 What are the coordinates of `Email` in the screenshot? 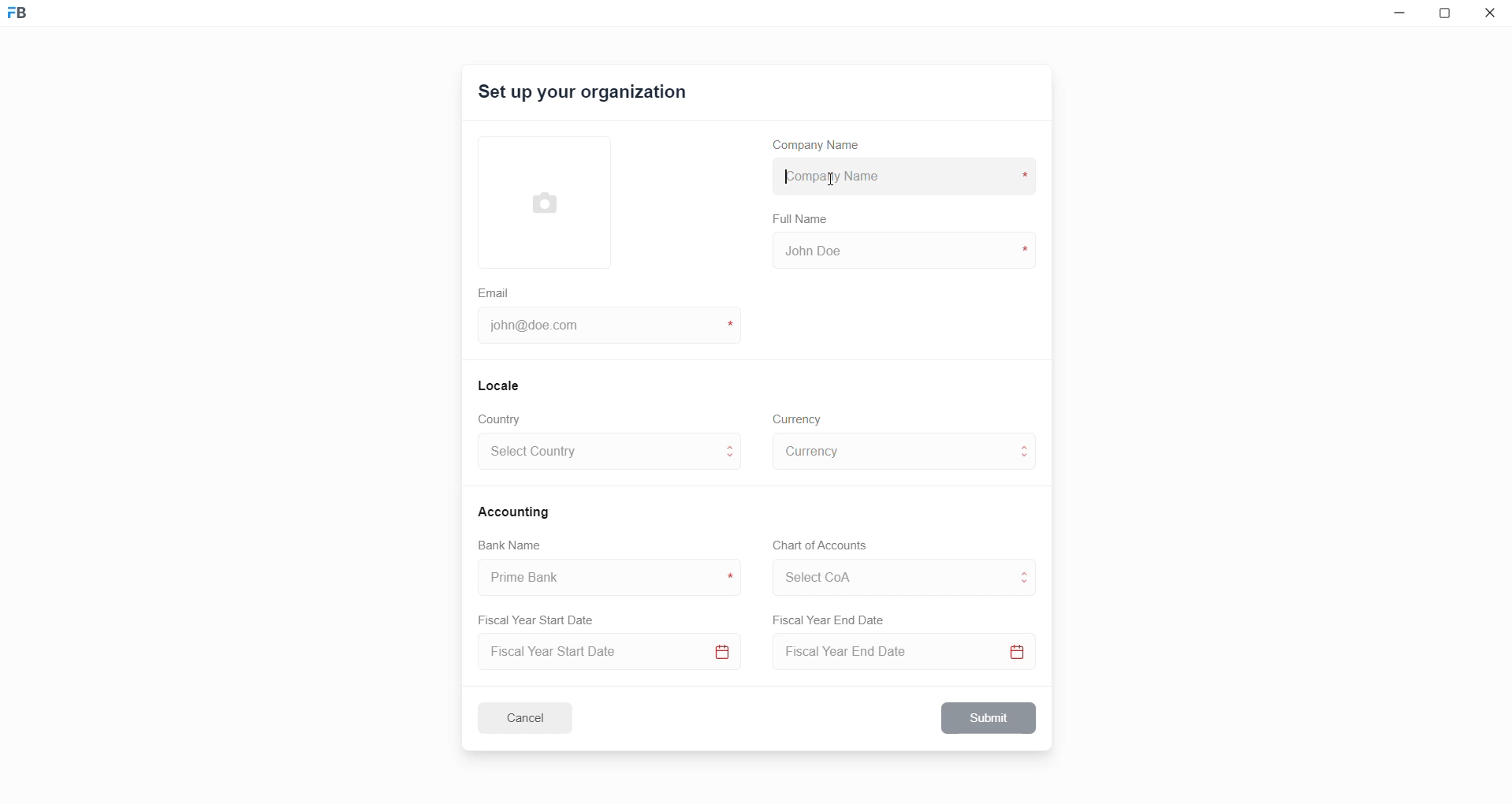 It's located at (496, 291).